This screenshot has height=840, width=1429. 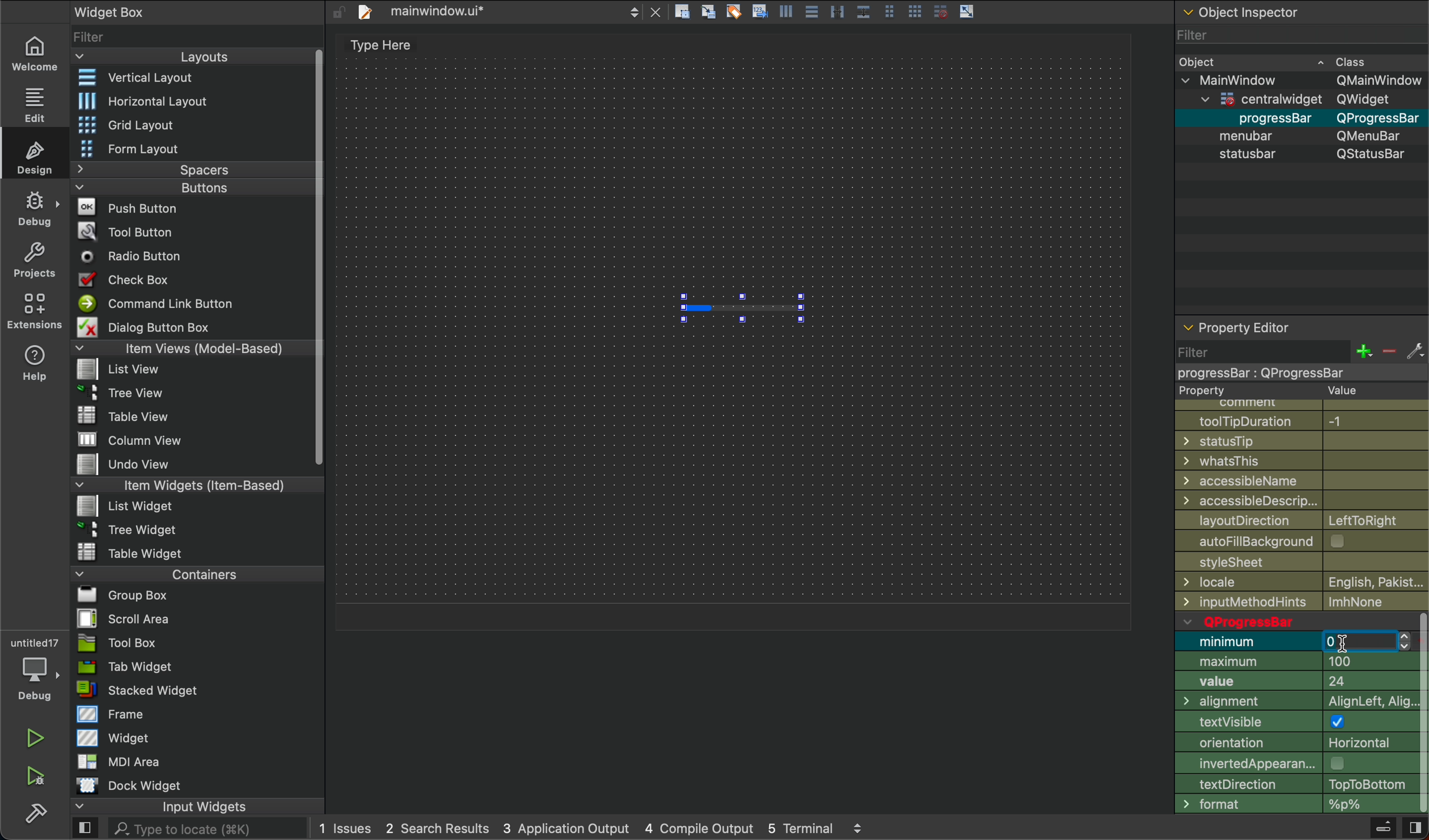 What do you see at coordinates (1299, 34) in the screenshot?
I see `Filter` at bounding box center [1299, 34].